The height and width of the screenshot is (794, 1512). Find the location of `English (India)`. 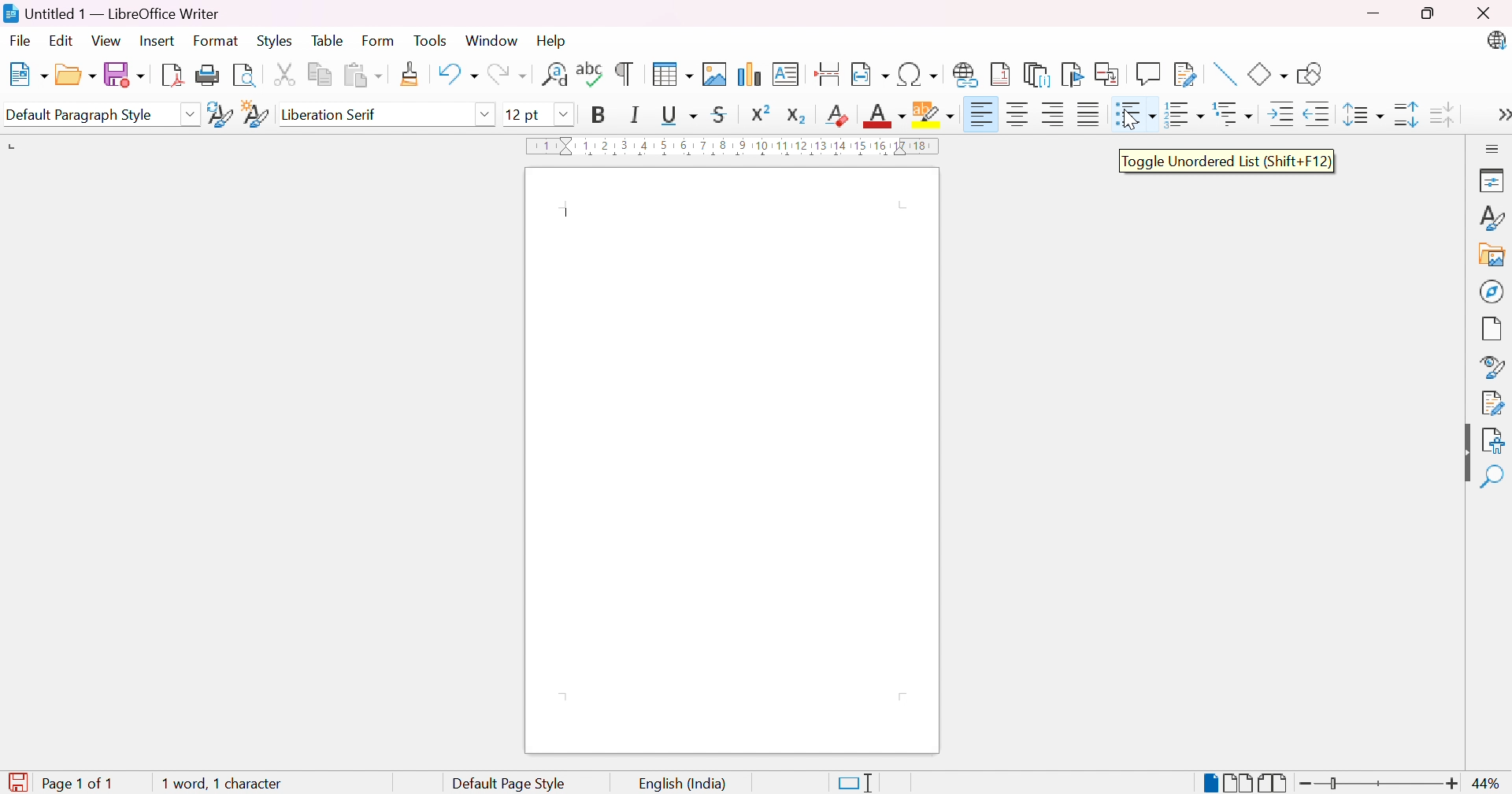

English (India) is located at coordinates (684, 785).